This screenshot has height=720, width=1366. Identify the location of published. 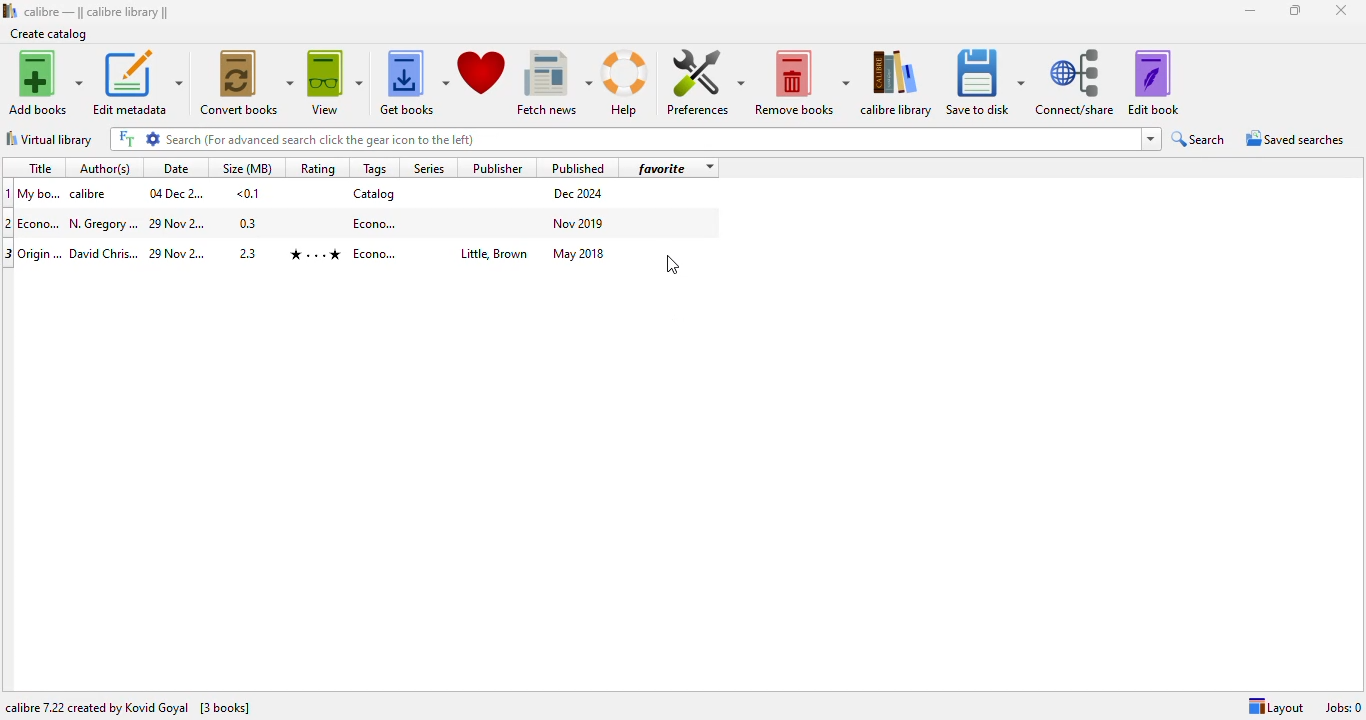
(578, 167).